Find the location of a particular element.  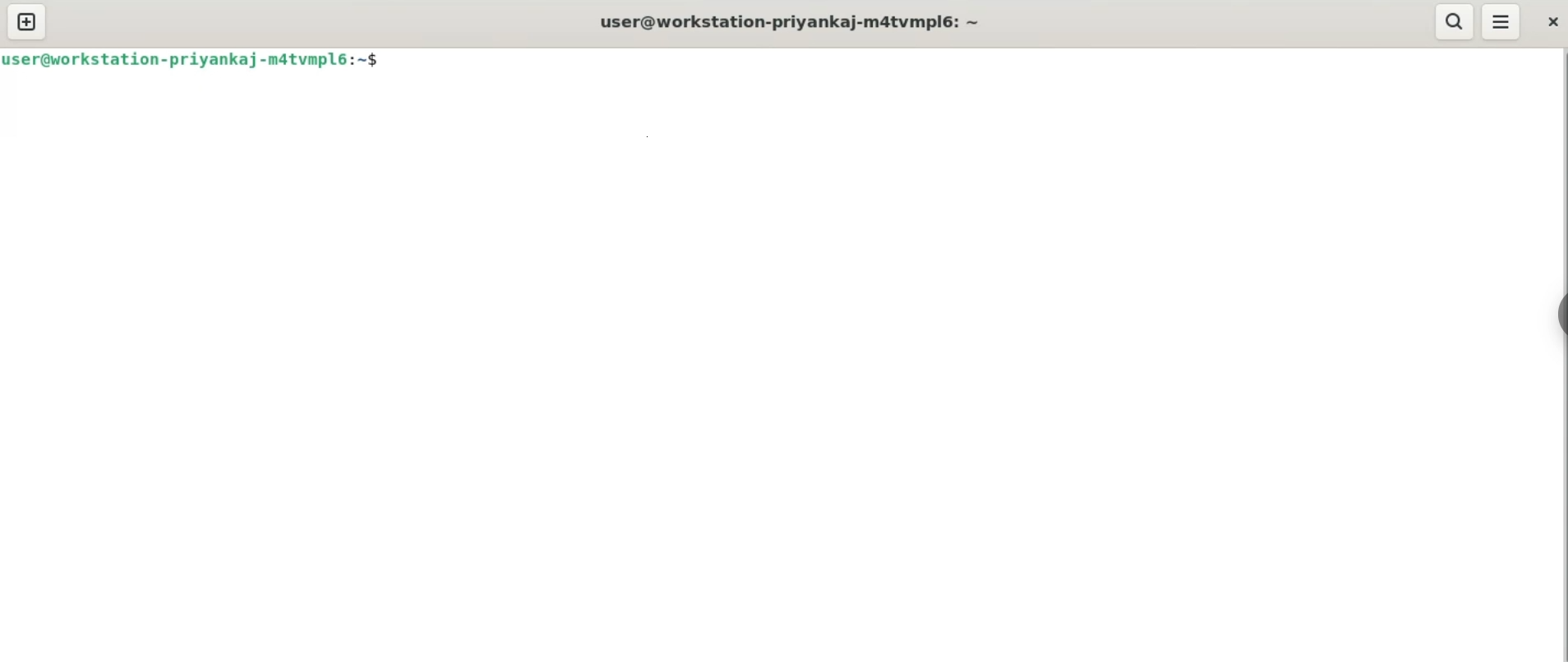

user@workstation-priyankaj-m4tvmpl: ~ is located at coordinates (798, 23).